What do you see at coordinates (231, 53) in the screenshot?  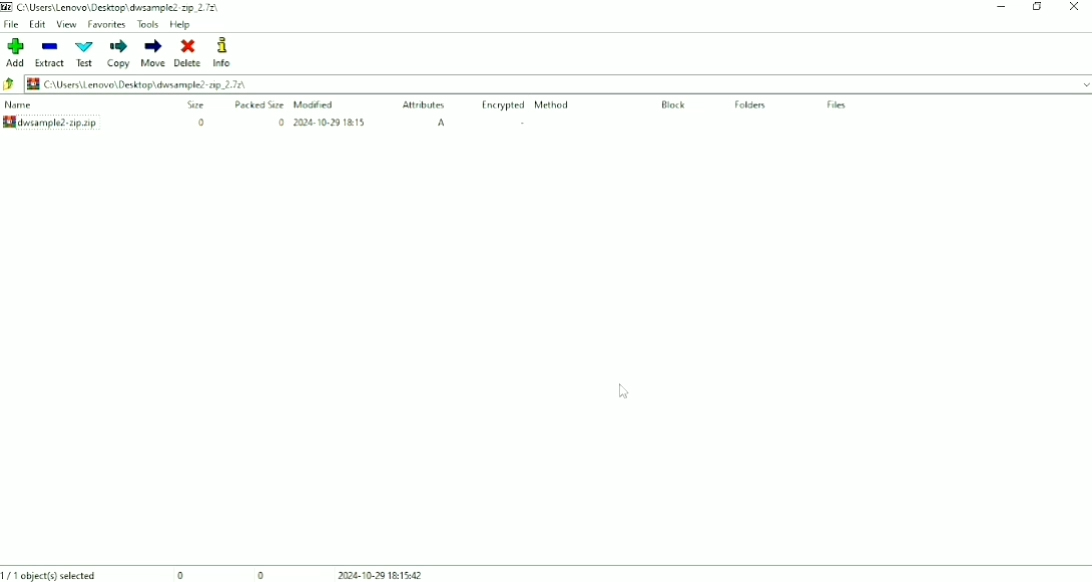 I see `Info` at bounding box center [231, 53].